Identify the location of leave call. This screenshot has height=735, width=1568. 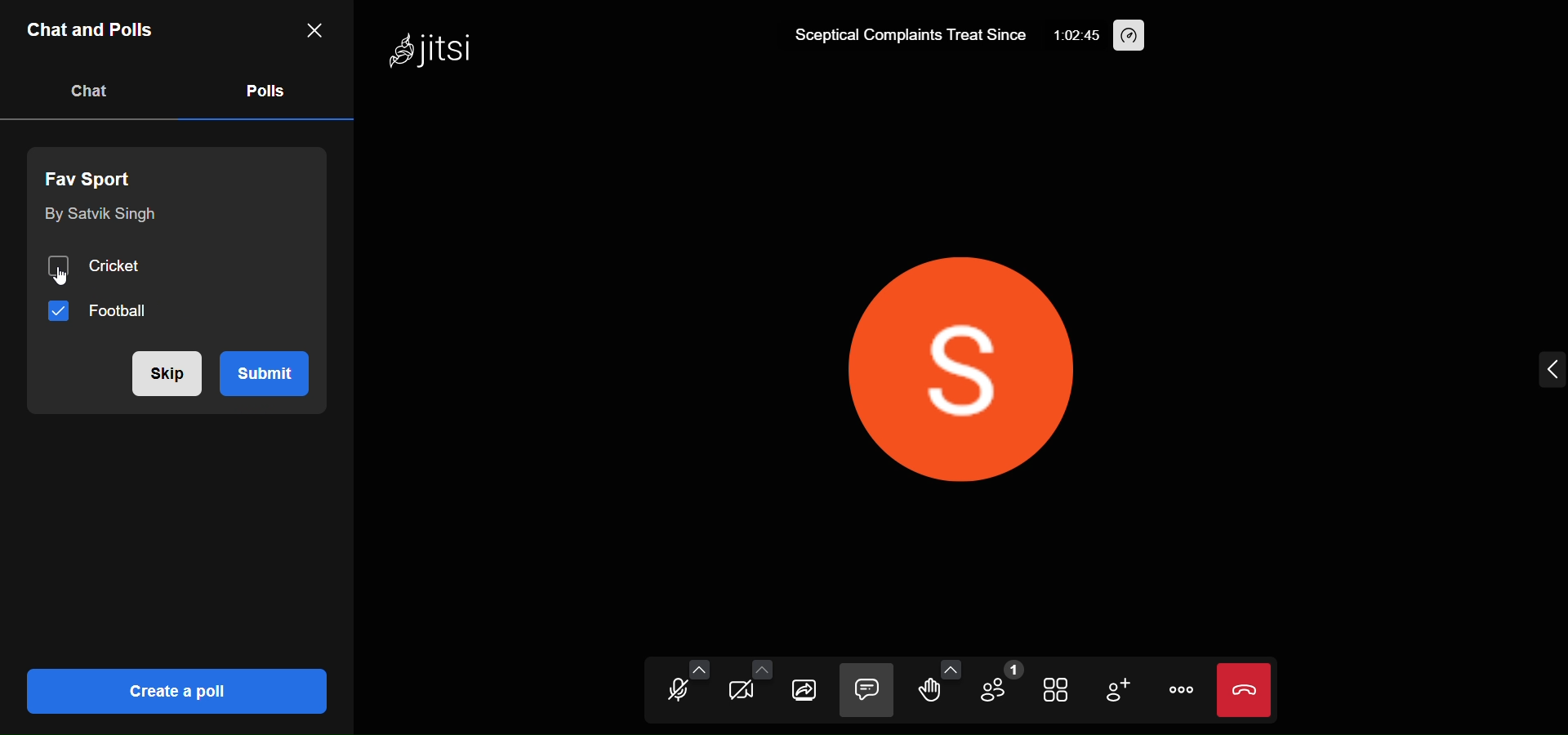
(1244, 690).